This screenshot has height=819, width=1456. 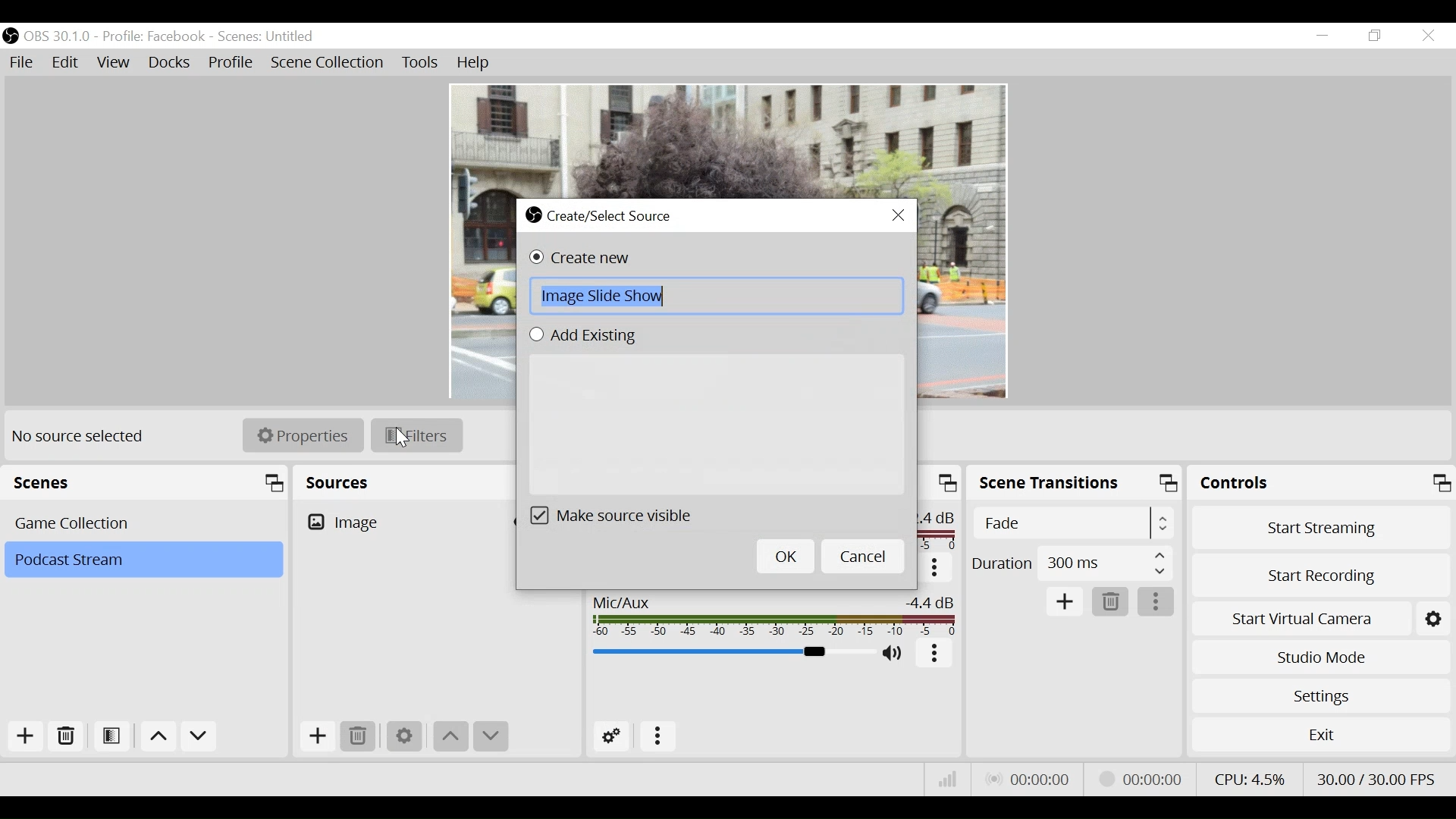 I want to click on CPU Usage, so click(x=1247, y=777).